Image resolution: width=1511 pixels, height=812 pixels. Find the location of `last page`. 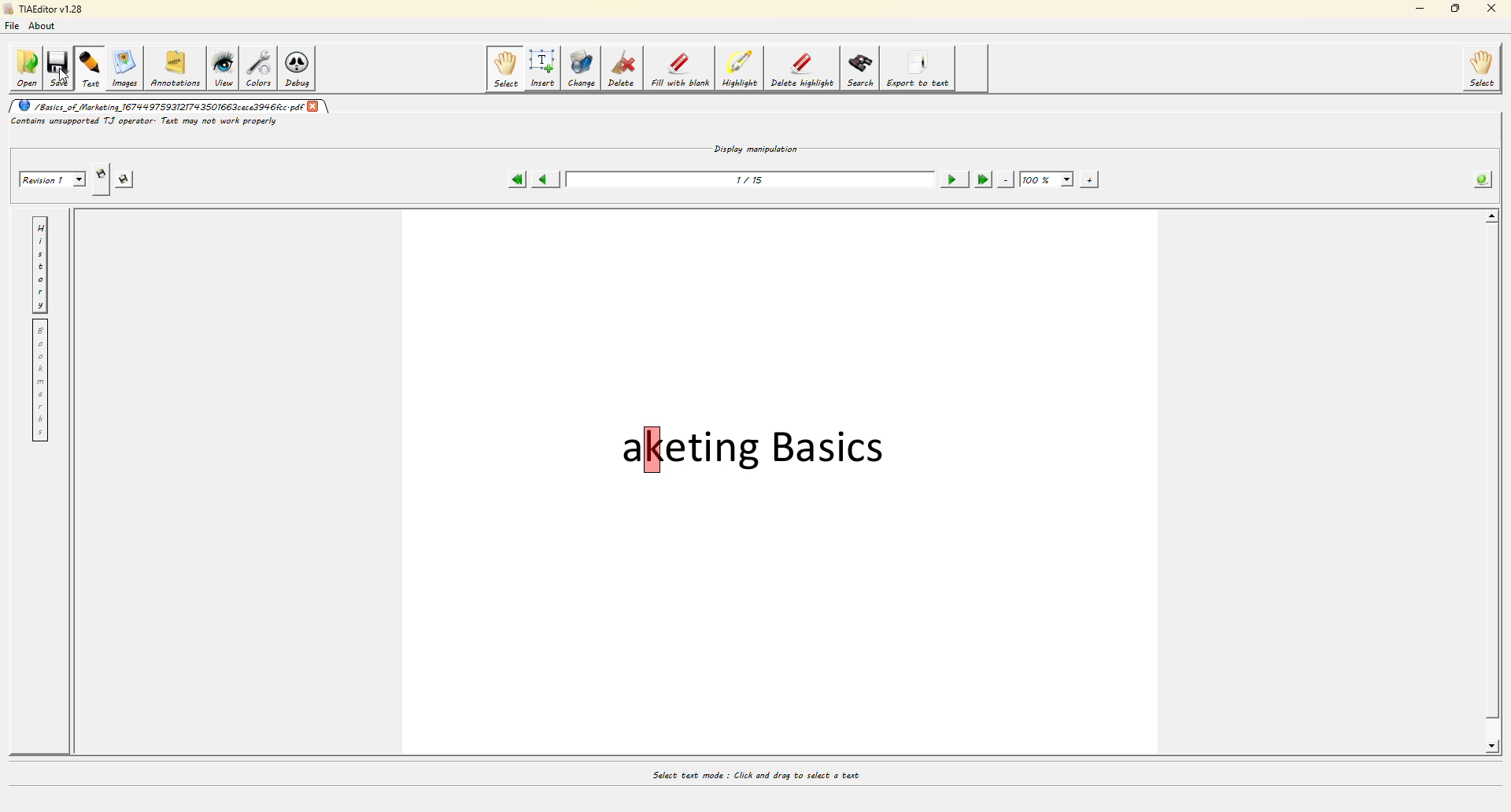

last page is located at coordinates (982, 177).